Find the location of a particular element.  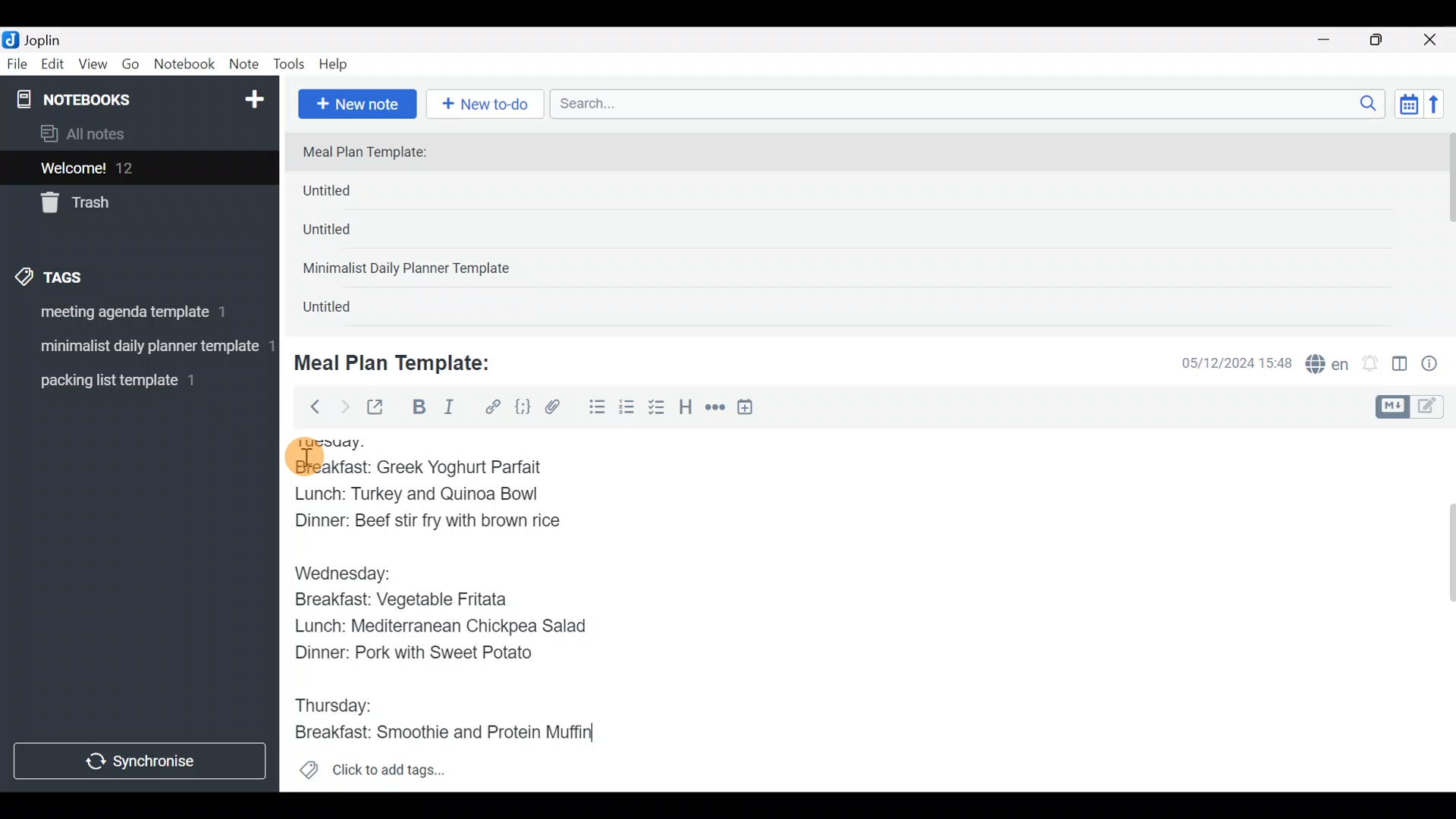

Dinner: Beef stir fry with brown rice is located at coordinates (425, 526).